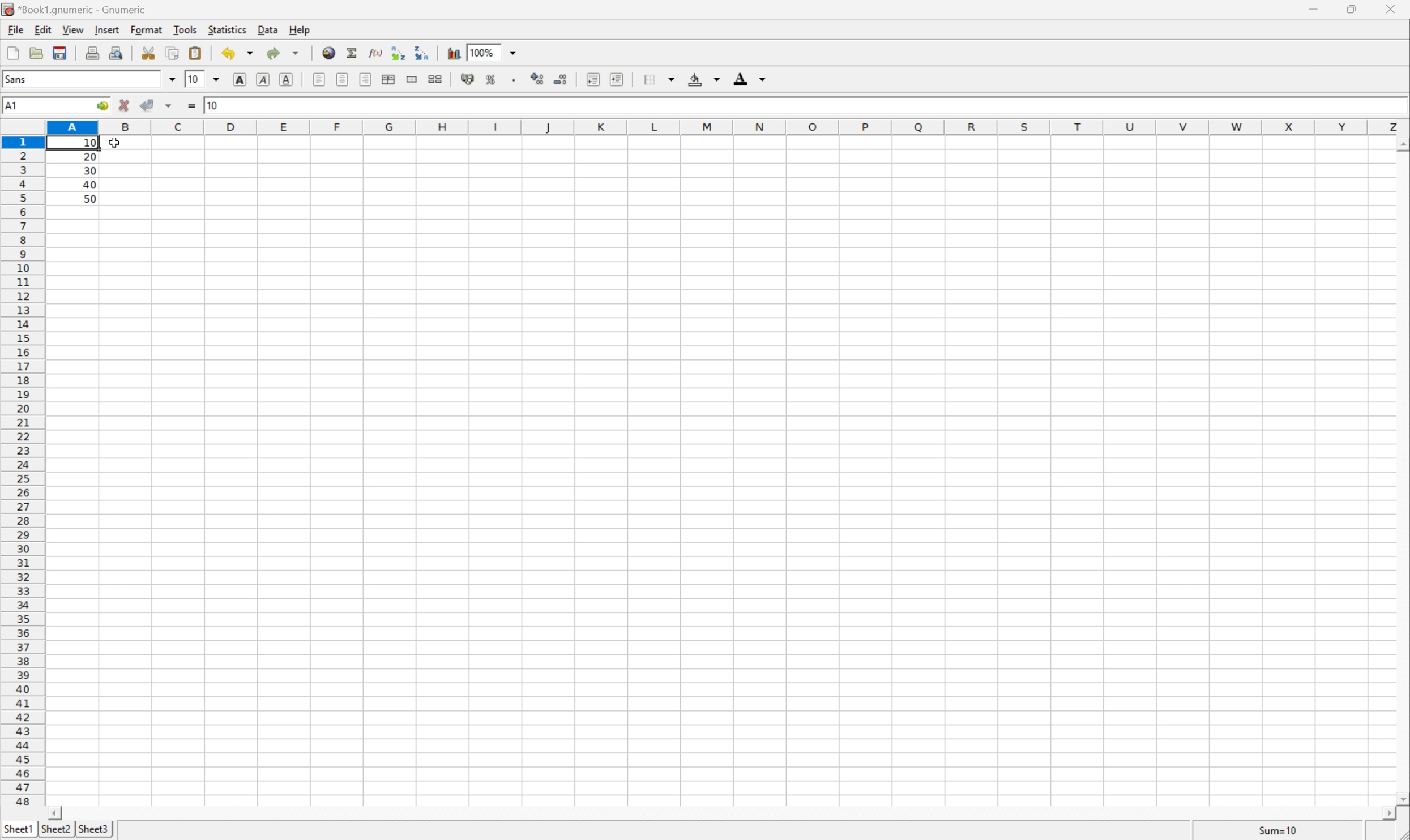  What do you see at coordinates (15, 30) in the screenshot?
I see `File` at bounding box center [15, 30].